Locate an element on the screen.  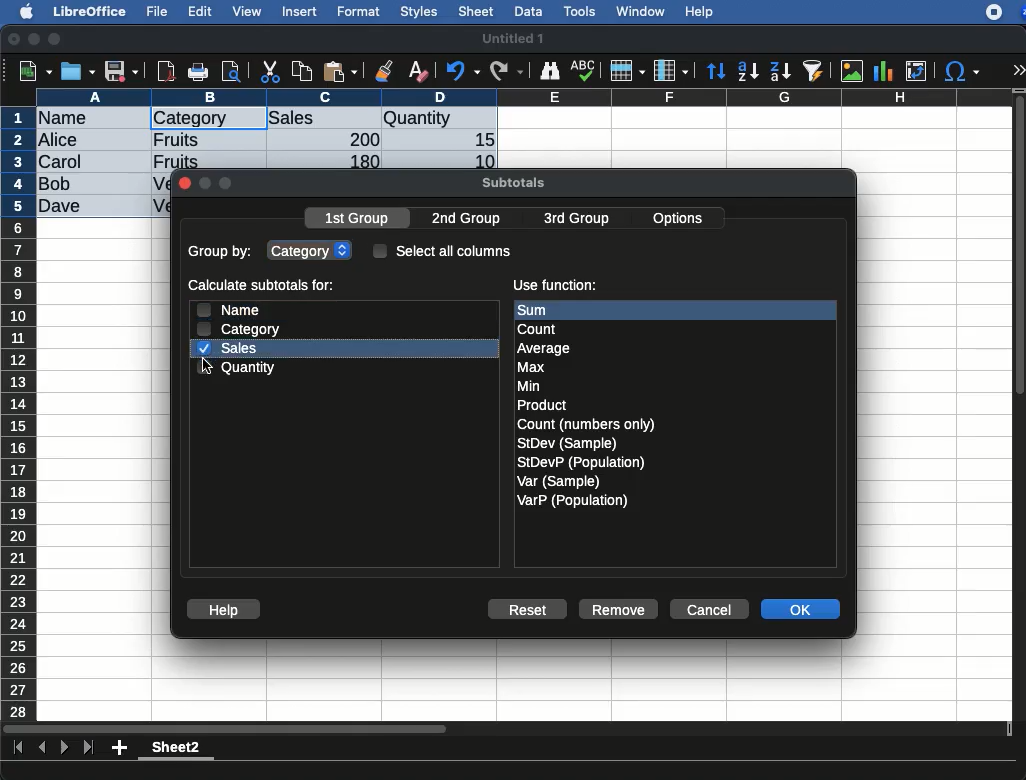
Carol is located at coordinates (77, 163).